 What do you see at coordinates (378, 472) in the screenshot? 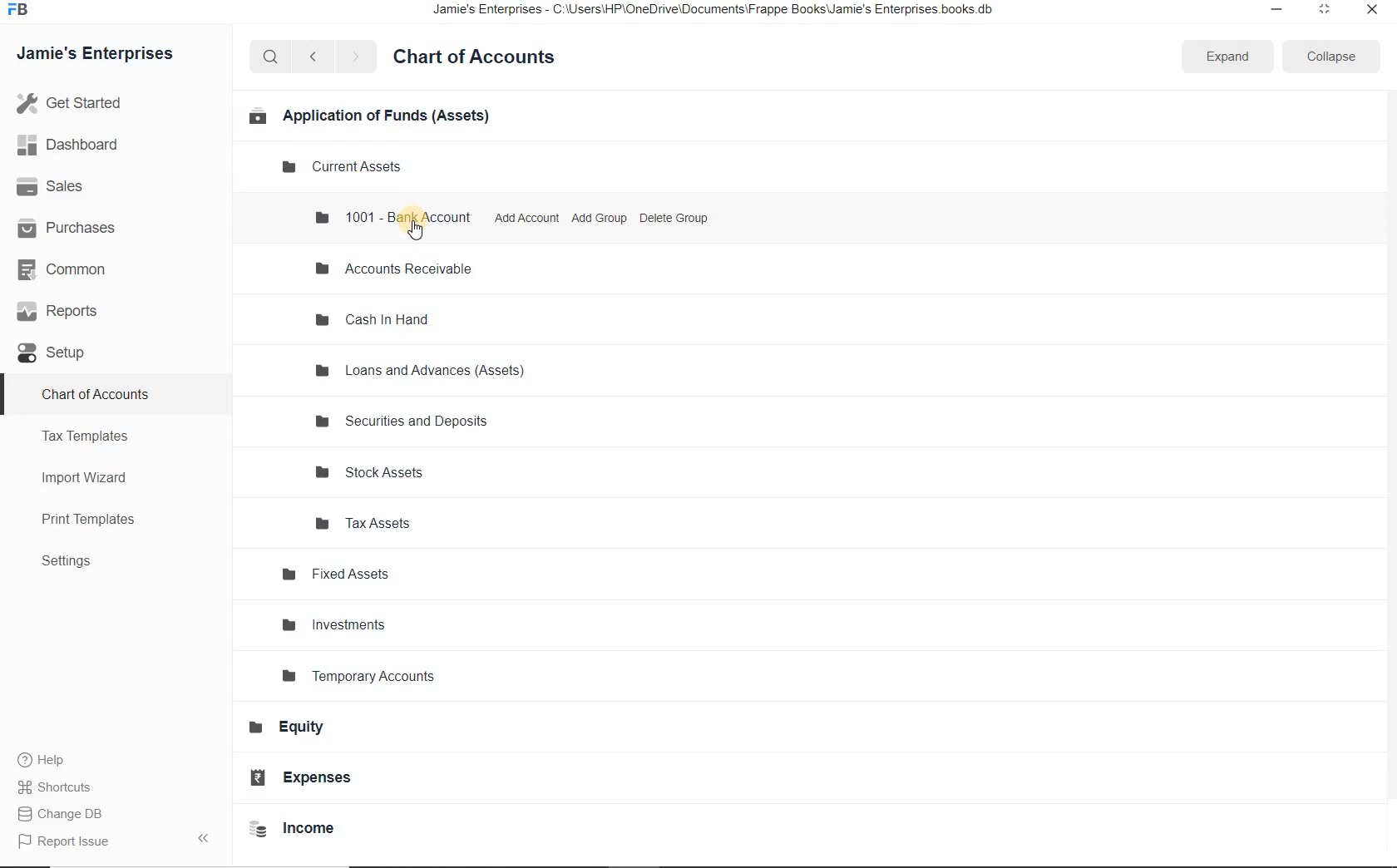
I see `Stock Assets` at bounding box center [378, 472].